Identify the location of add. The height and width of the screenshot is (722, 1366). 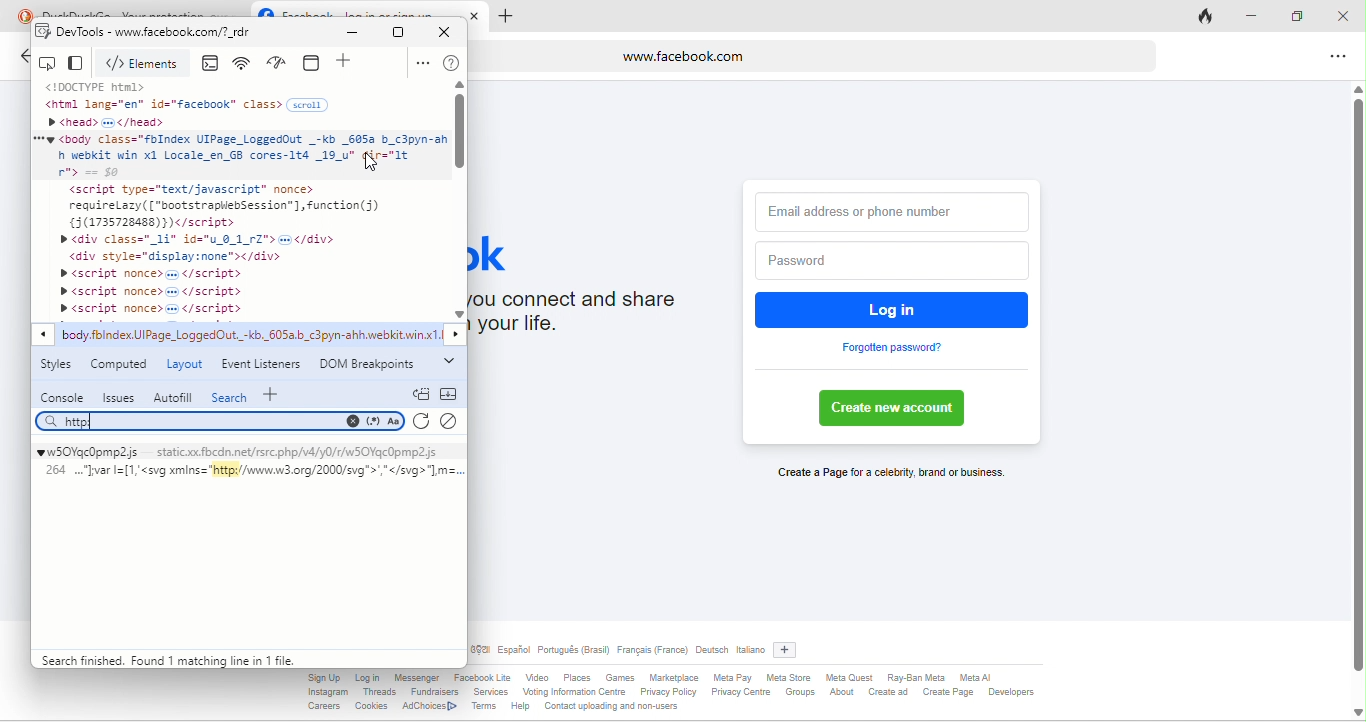
(790, 647).